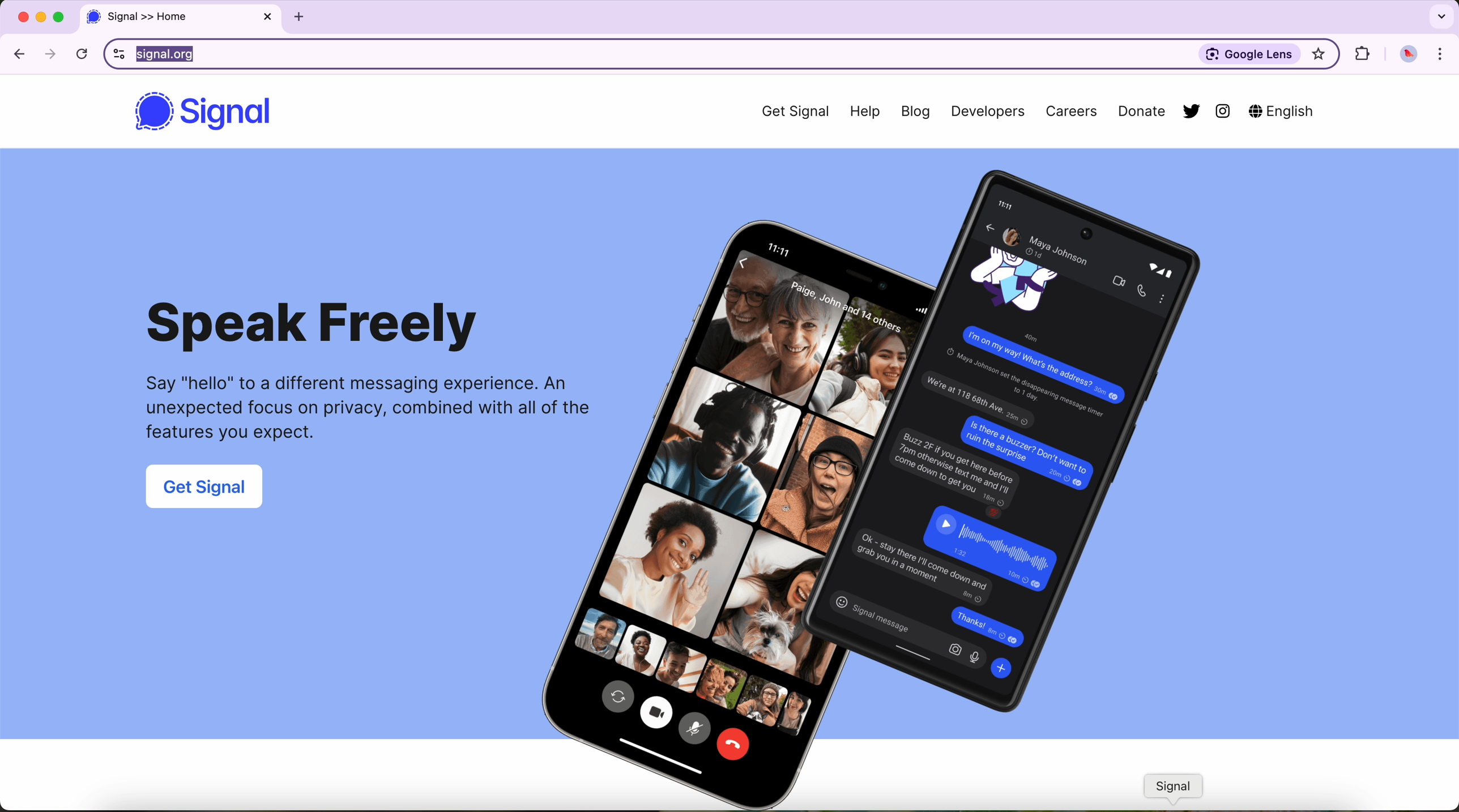 Image resolution: width=1459 pixels, height=812 pixels. What do you see at coordinates (1283, 110) in the screenshot?
I see `English` at bounding box center [1283, 110].